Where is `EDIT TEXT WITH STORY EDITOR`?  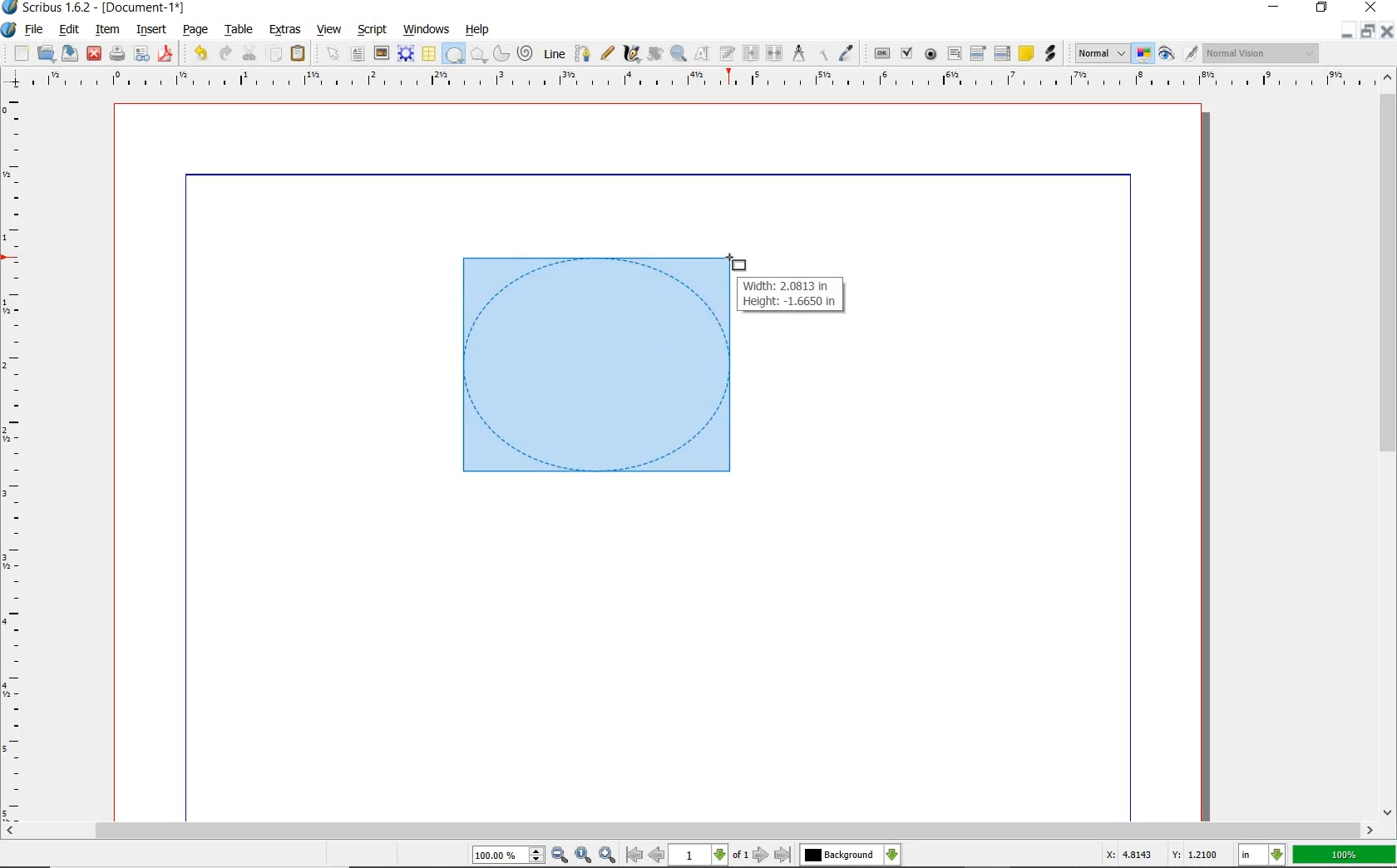
EDIT TEXT WITH STORY EDITOR is located at coordinates (728, 53).